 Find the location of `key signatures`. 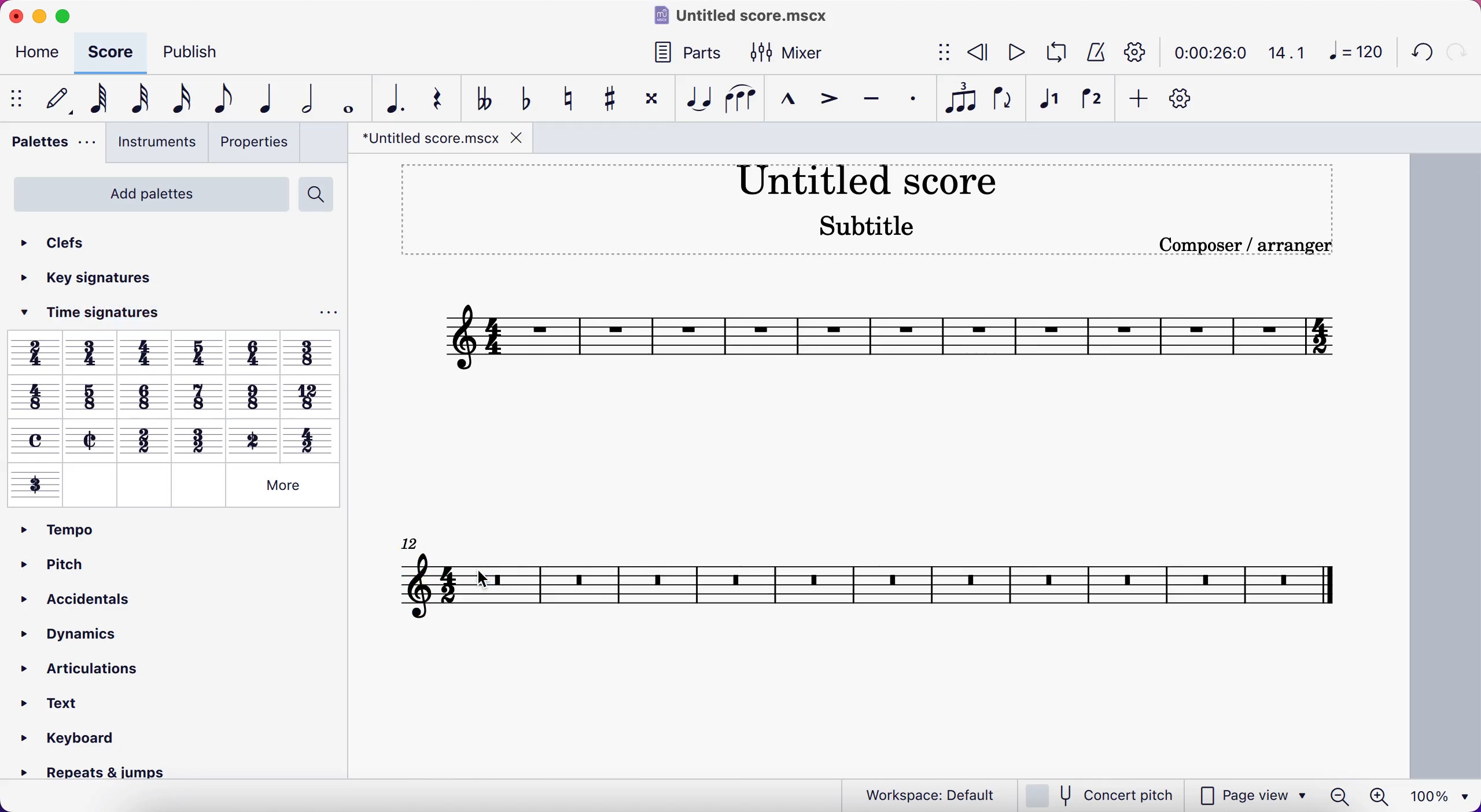

key signatures is located at coordinates (108, 280).